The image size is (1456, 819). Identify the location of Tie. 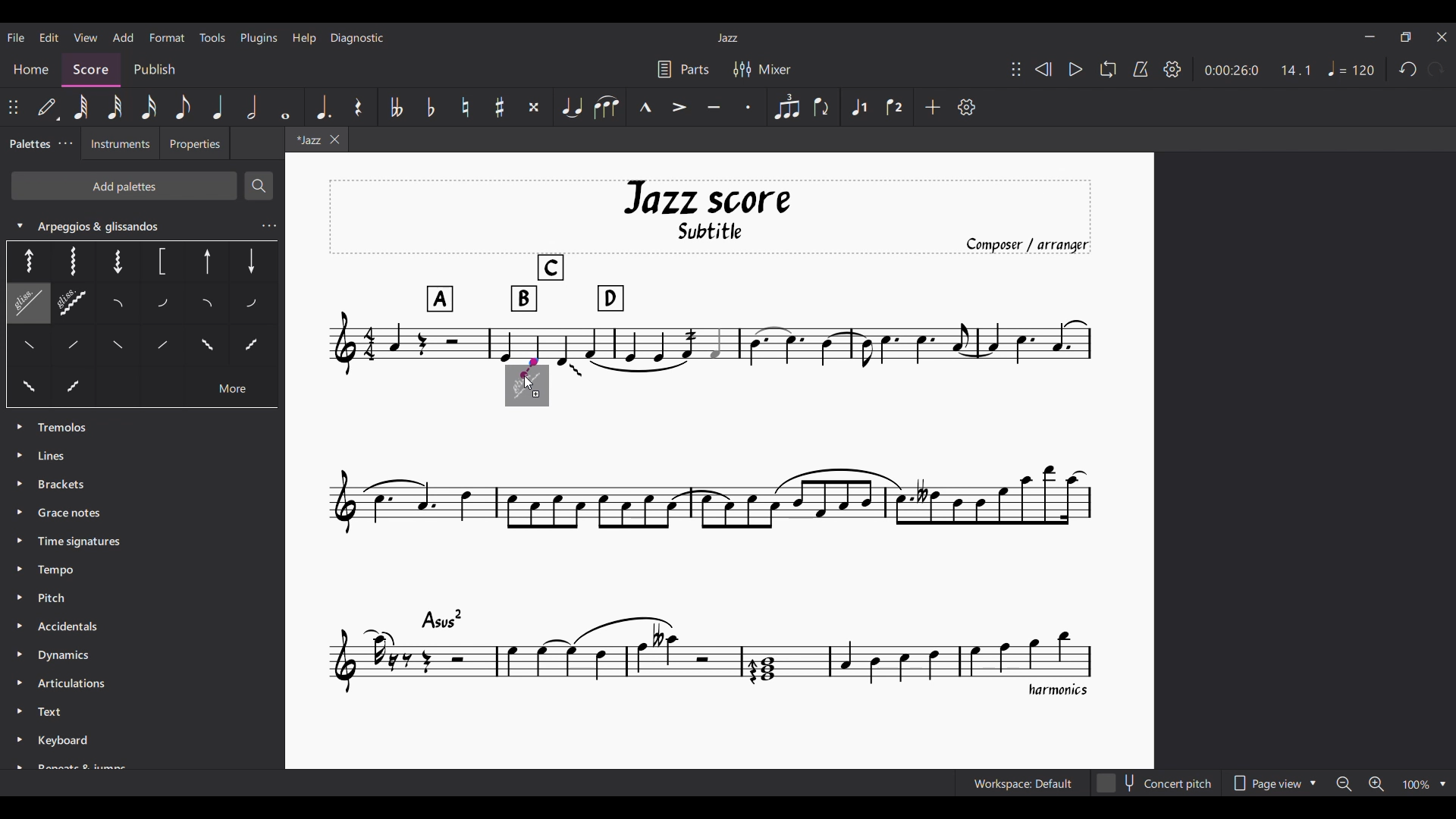
(571, 107).